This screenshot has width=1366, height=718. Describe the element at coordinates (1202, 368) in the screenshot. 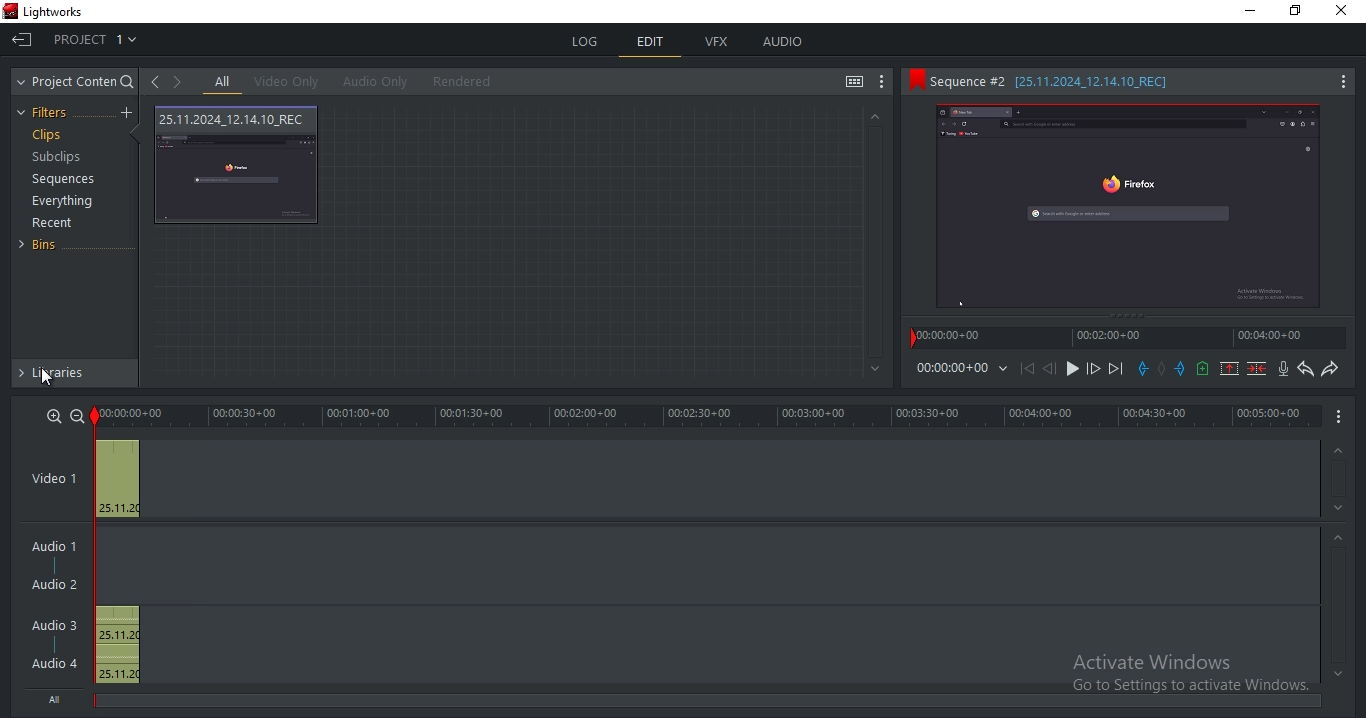

I see `add a cue at the current position` at that location.